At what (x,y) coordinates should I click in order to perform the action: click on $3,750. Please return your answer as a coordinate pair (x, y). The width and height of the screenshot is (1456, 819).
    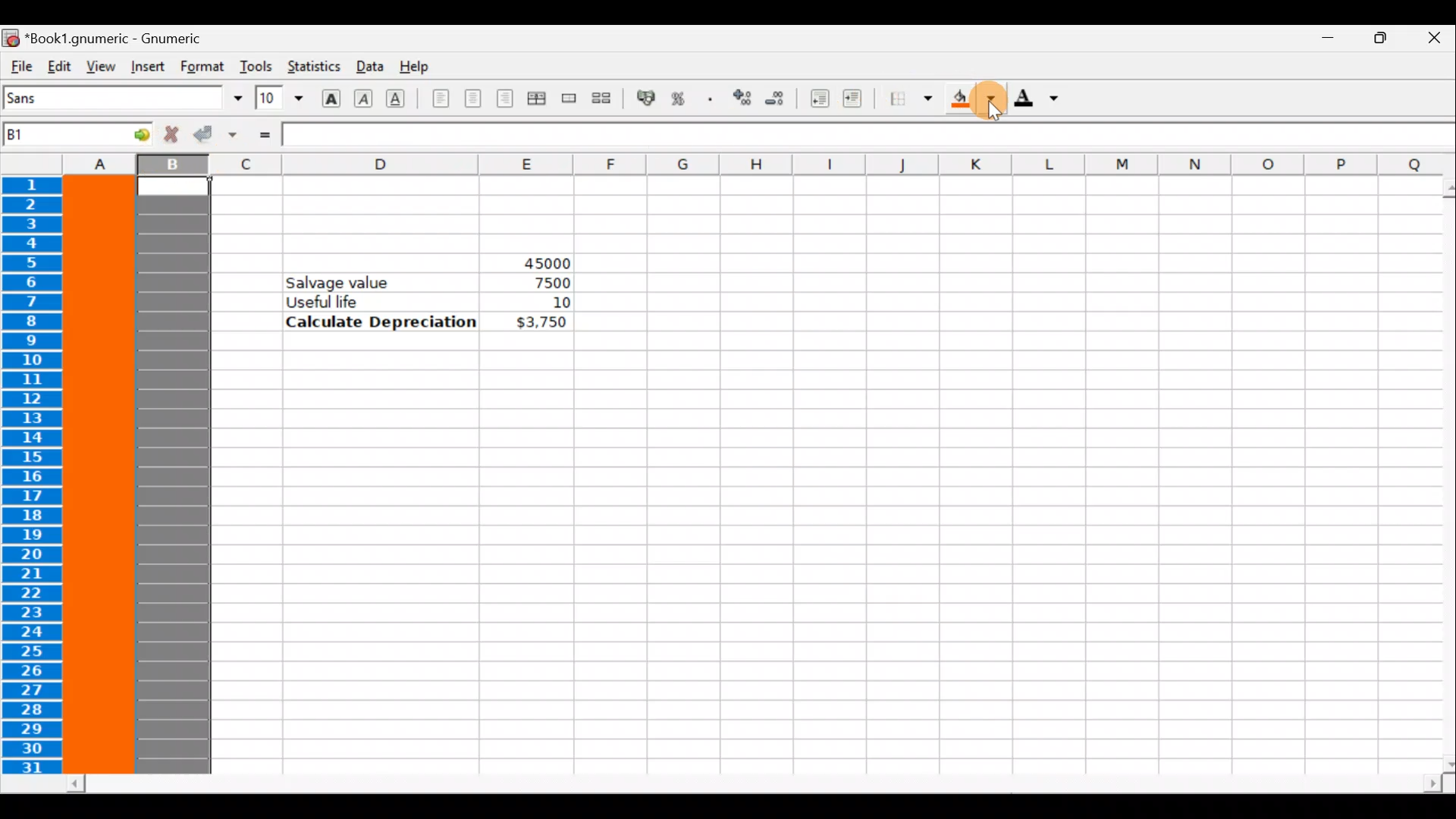
    Looking at the image, I should click on (540, 323).